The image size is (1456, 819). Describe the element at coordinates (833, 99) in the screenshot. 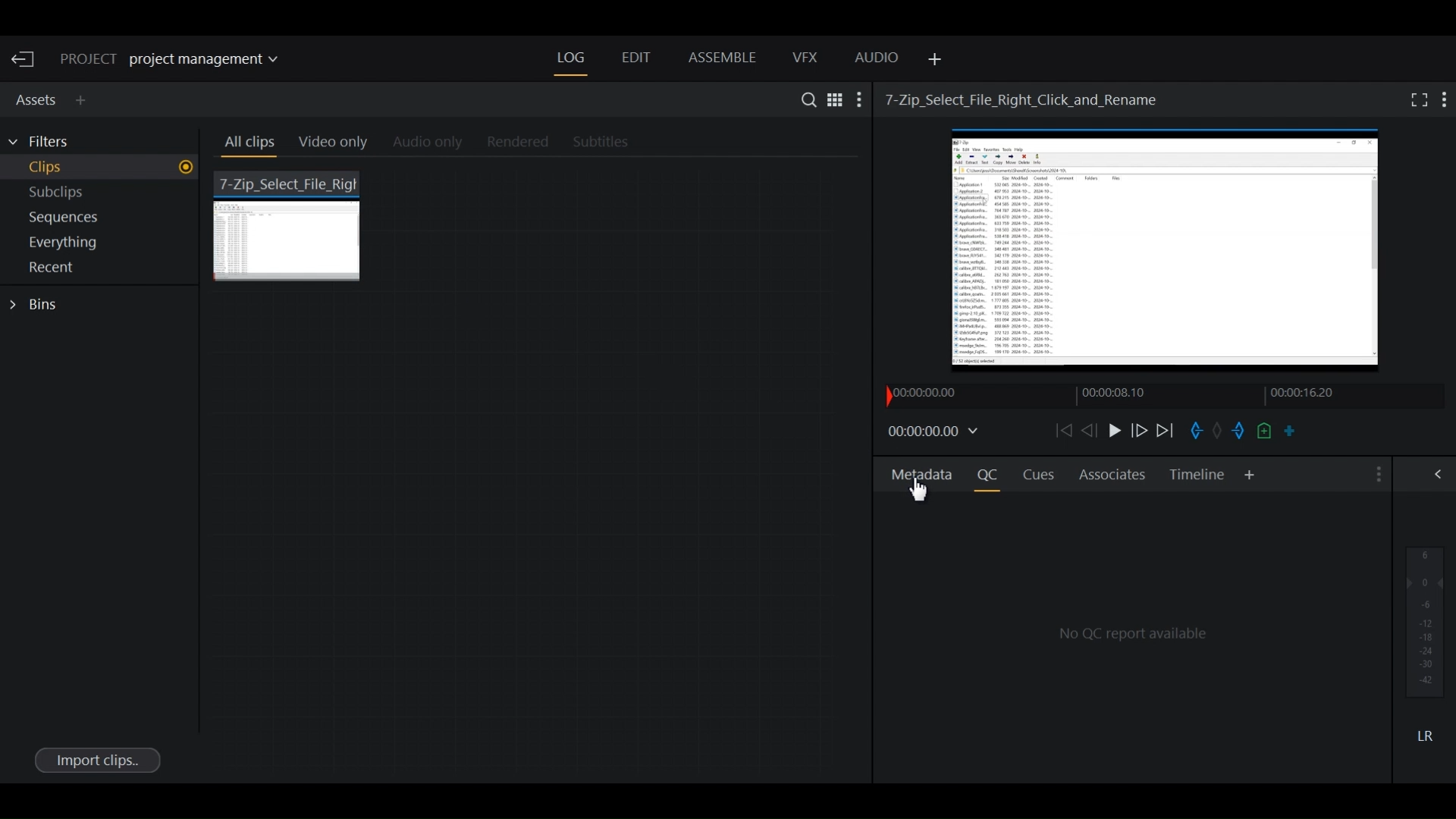

I see `Toggle between list and Tile View` at that location.